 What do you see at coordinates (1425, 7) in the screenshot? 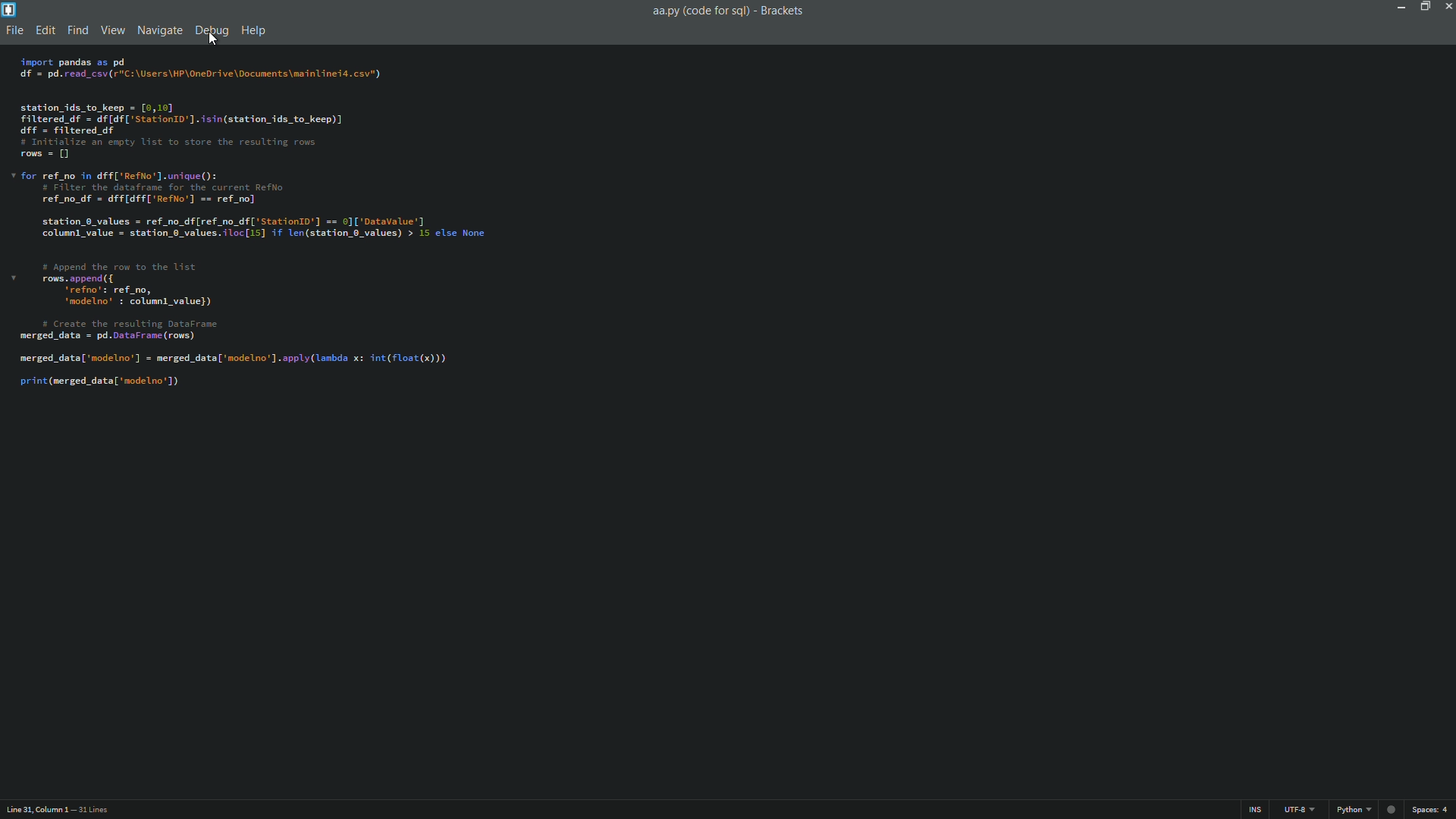
I see `maximize` at bounding box center [1425, 7].